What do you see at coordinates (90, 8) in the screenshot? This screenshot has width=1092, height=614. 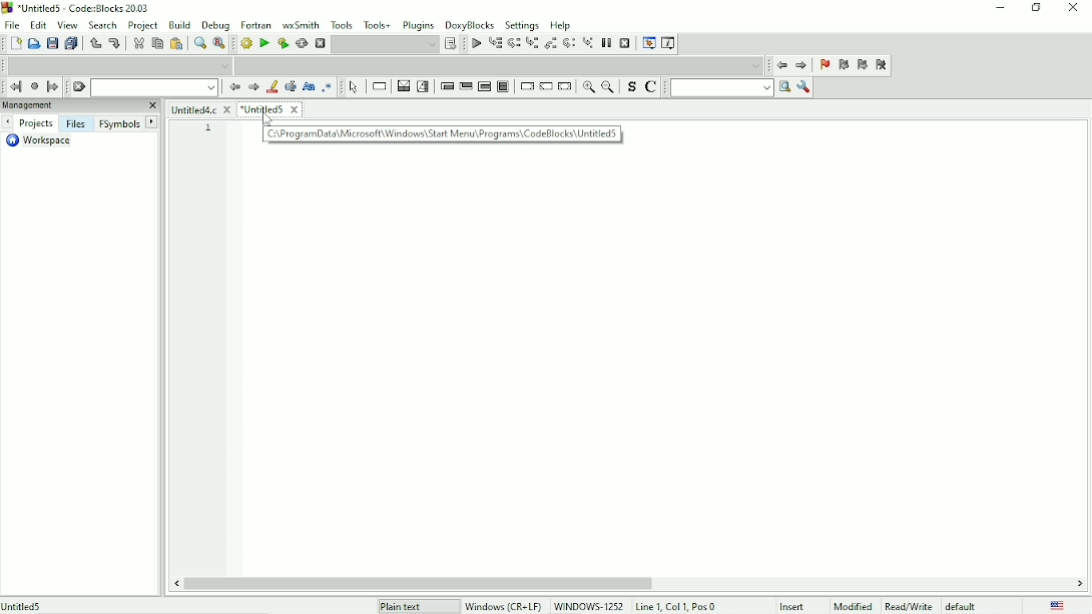 I see `Title` at bounding box center [90, 8].